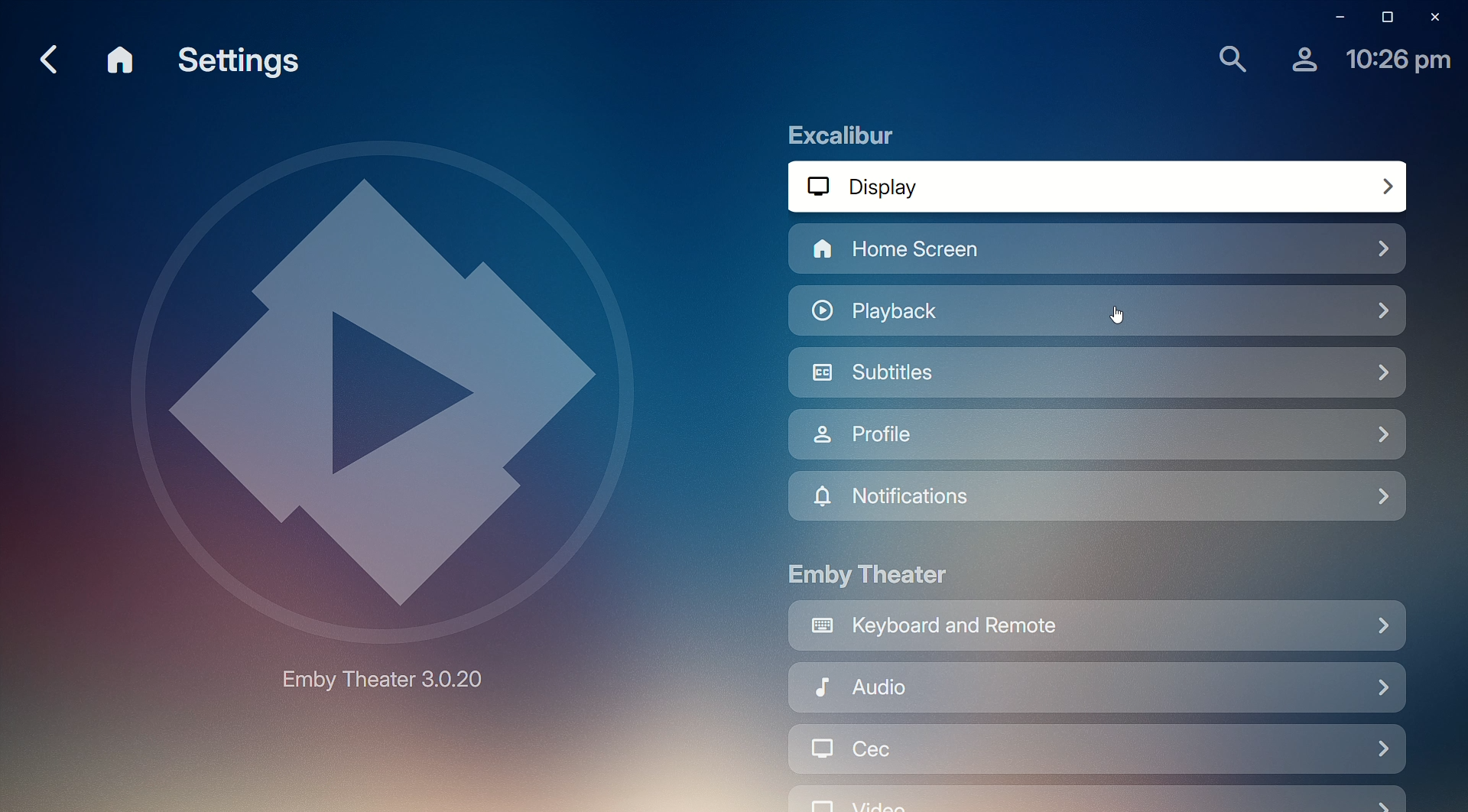 Image resolution: width=1468 pixels, height=812 pixels. I want to click on Profile, so click(1102, 437).